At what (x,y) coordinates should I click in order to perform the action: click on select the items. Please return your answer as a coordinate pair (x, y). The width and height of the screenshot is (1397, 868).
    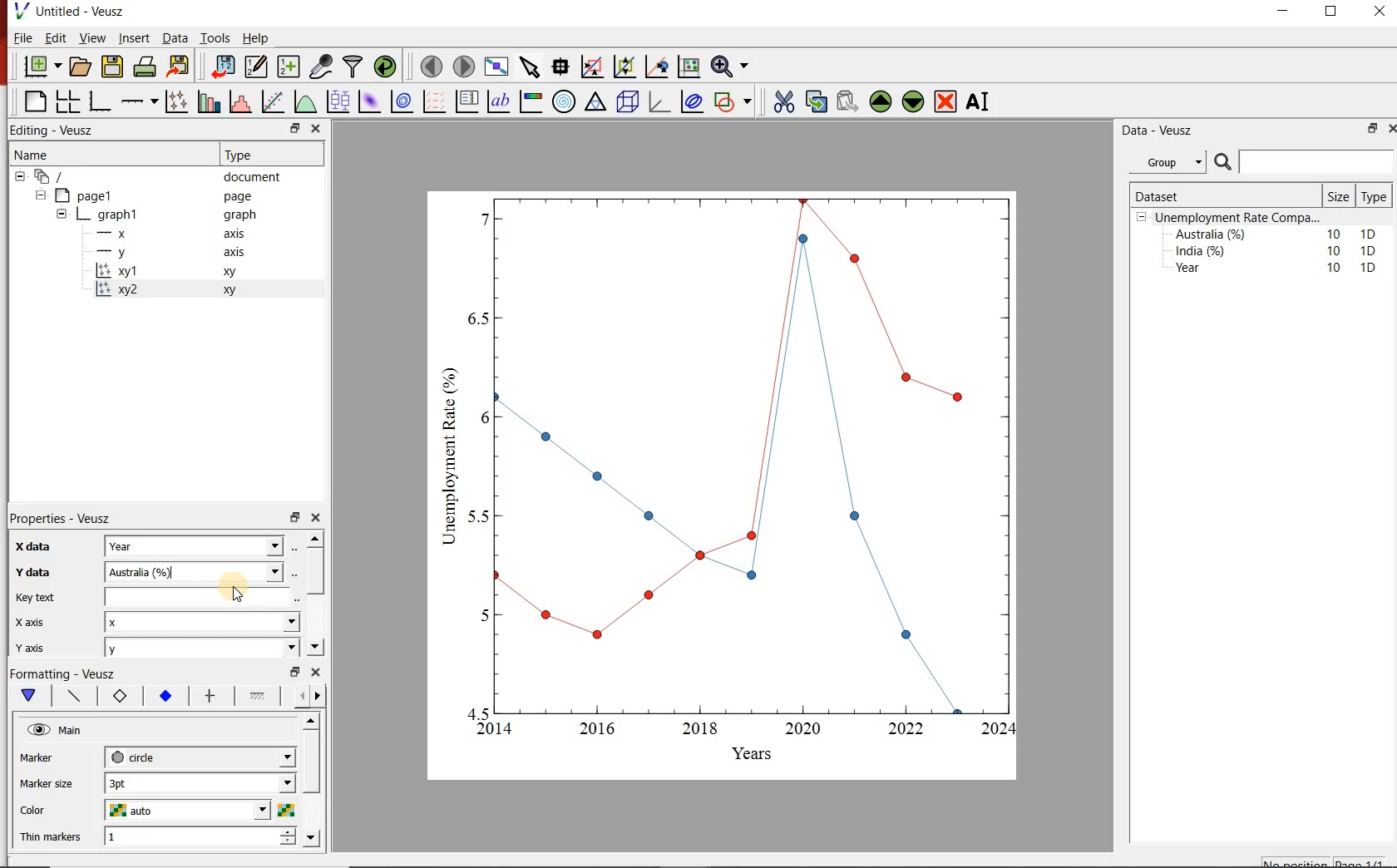
    Looking at the image, I should click on (531, 65).